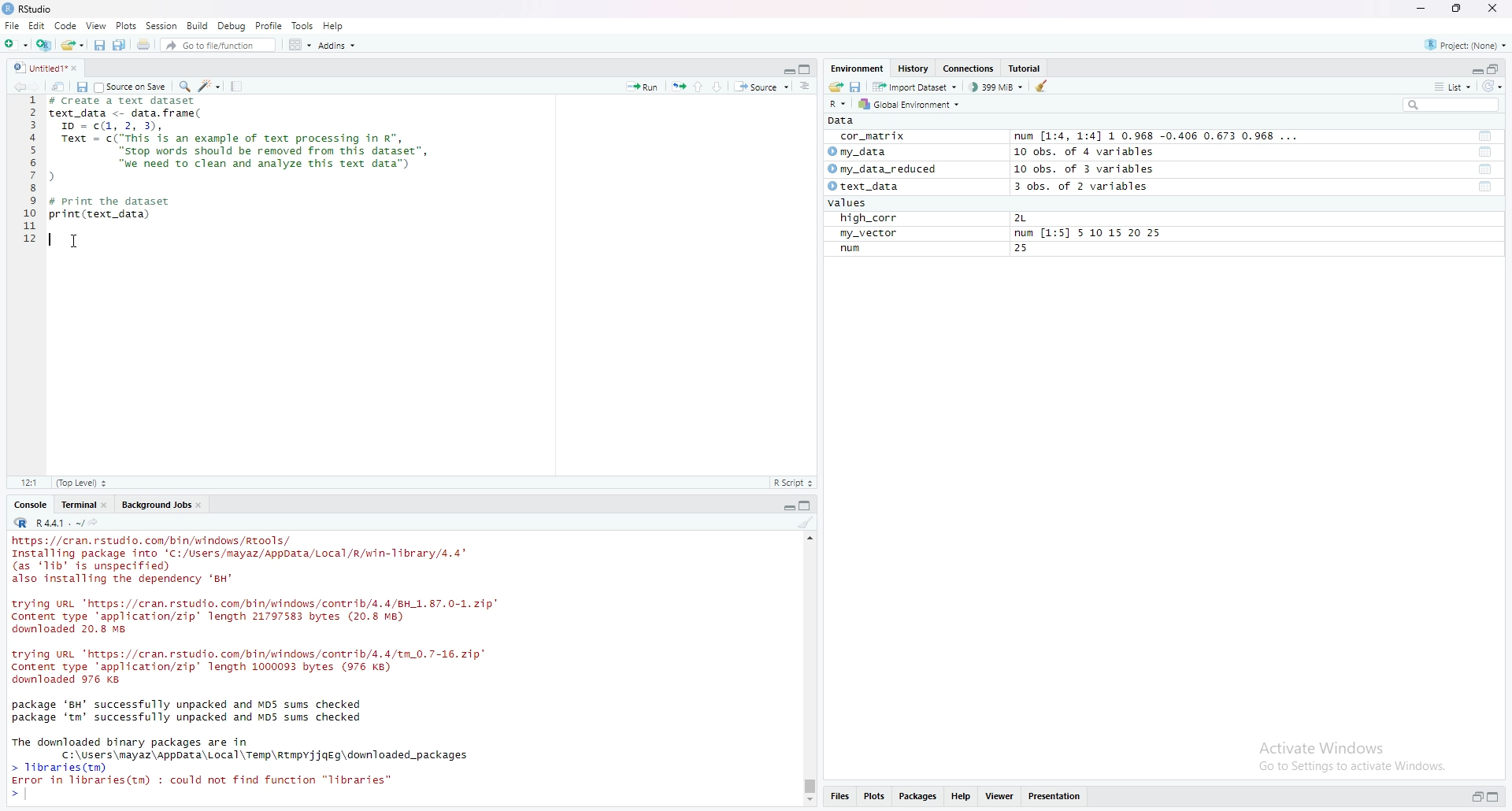 This screenshot has height=811, width=1512. Describe the element at coordinates (29, 10) in the screenshot. I see `rstudio` at that location.